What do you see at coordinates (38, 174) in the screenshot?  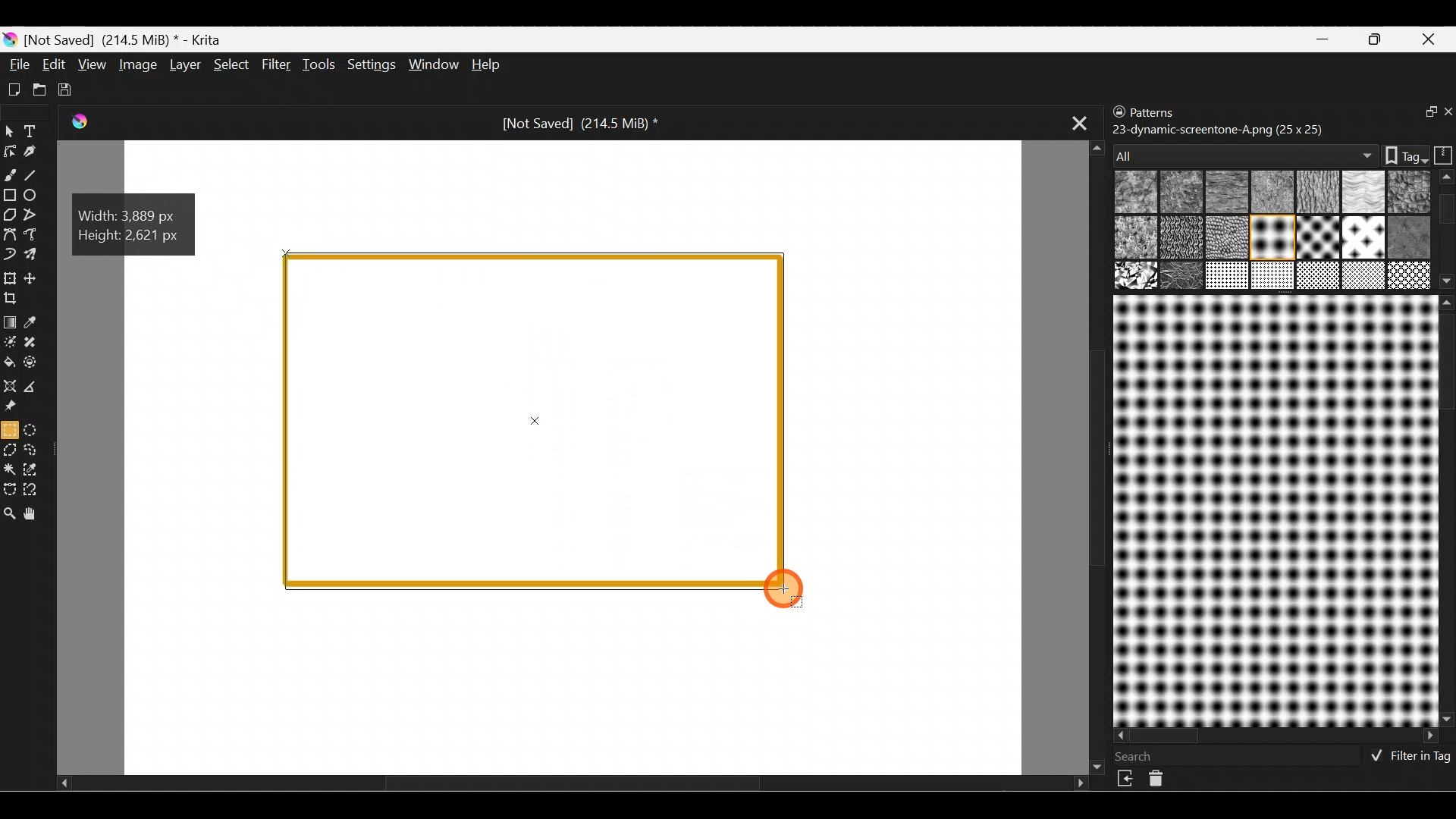 I see `Line tool` at bounding box center [38, 174].